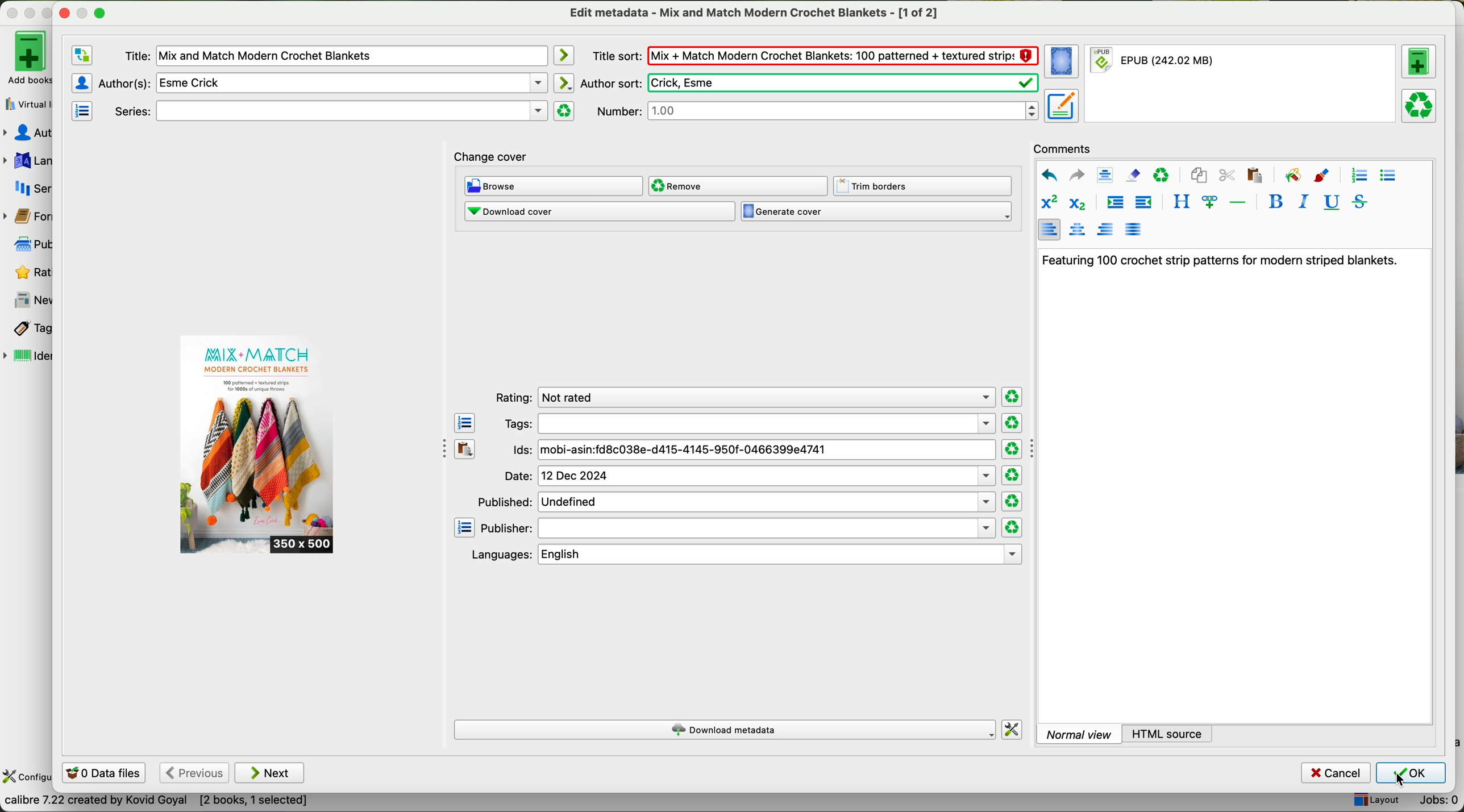 The height and width of the screenshot is (812, 1464). What do you see at coordinates (1337, 773) in the screenshot?
I see `cancel` at bounding box center [1337, 773].